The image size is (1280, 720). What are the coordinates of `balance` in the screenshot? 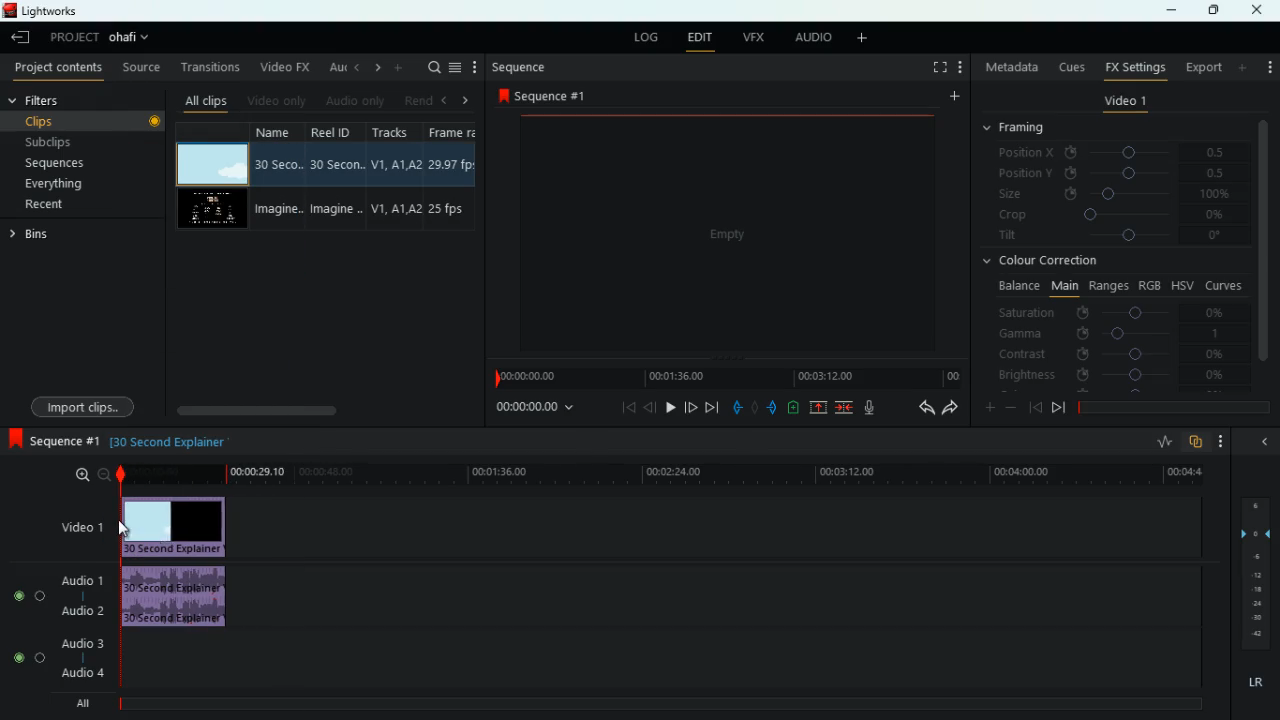 It's located at (1016, 286).